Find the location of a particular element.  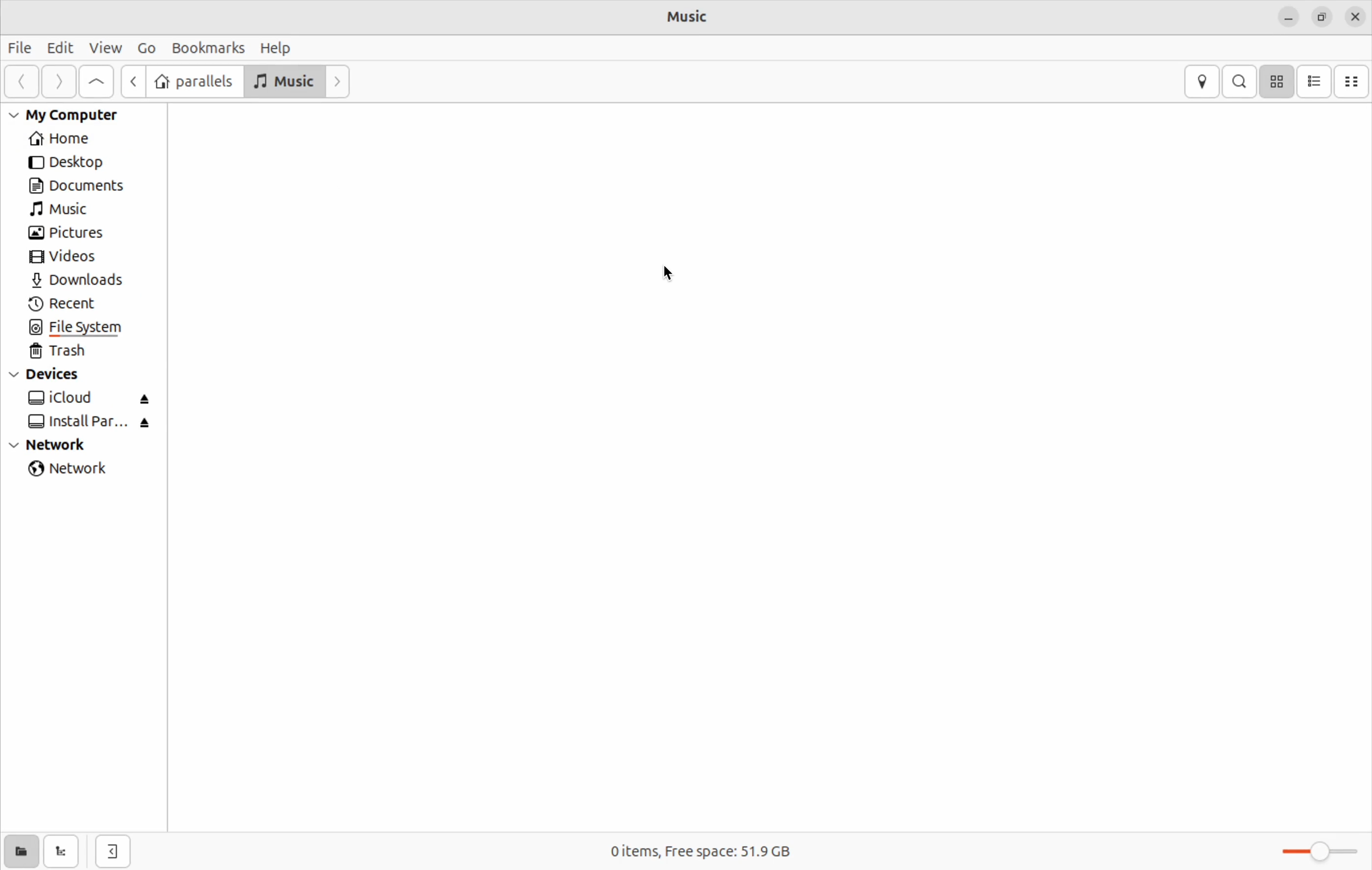

show places is located at coordinates (18, 851).